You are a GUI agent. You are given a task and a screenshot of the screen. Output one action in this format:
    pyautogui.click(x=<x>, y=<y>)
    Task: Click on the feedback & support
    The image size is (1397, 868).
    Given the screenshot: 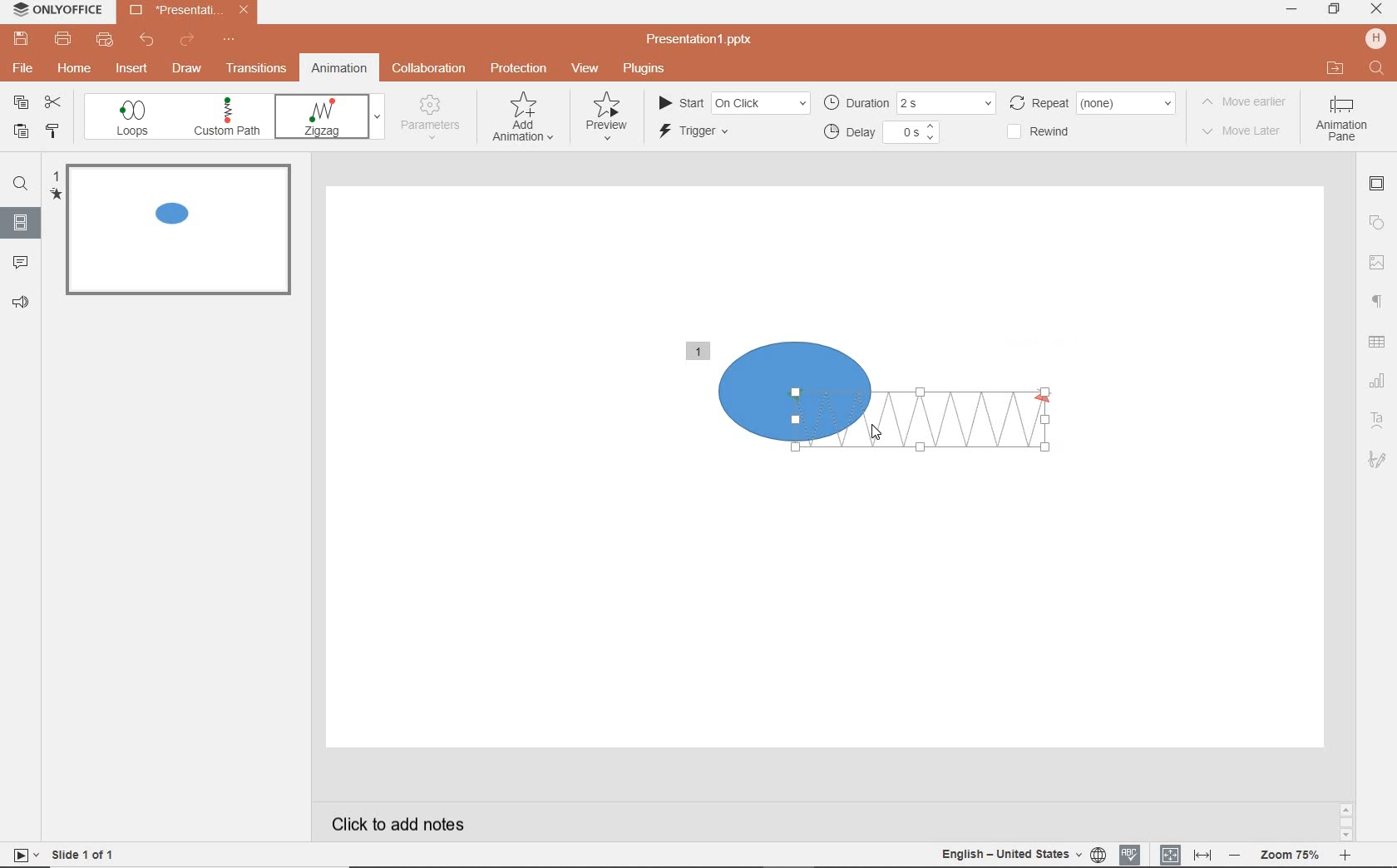 What is the action you would take?
    pyautogui.click(x=22, y=303)
    